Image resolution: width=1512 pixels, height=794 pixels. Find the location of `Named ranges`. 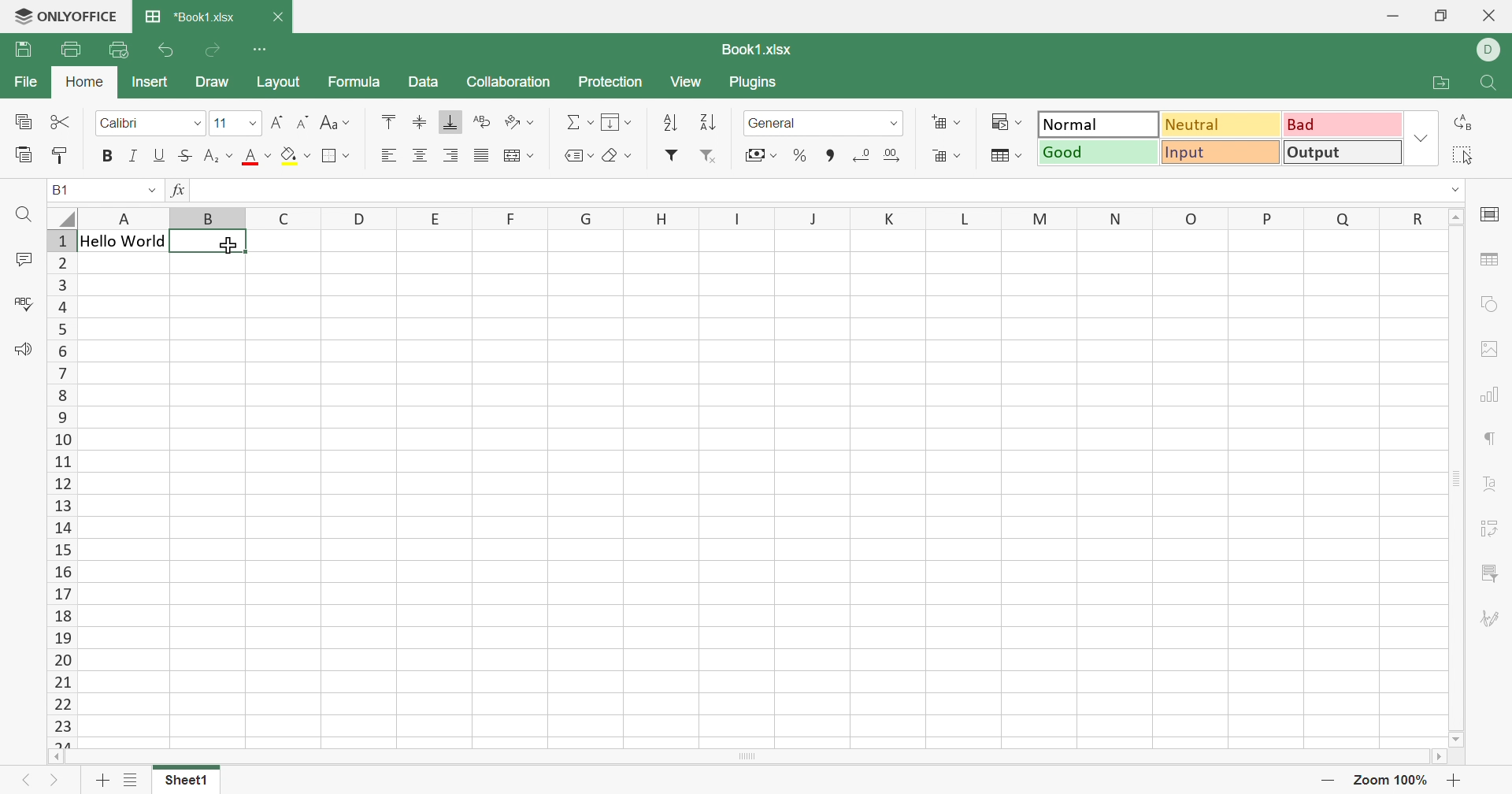

Named ranges is located at coordinates (580, 158).